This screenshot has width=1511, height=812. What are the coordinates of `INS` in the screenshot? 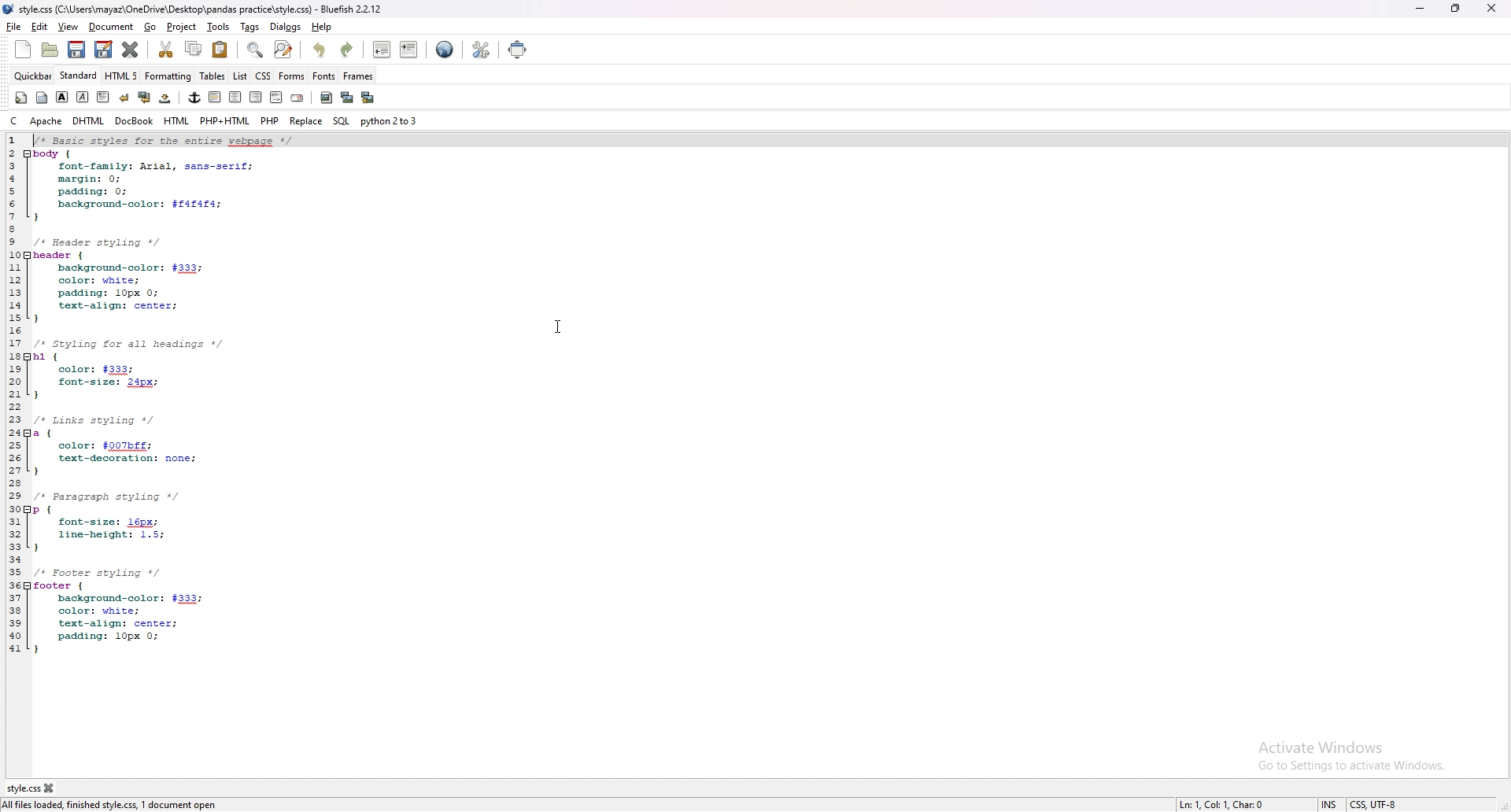 It's located at (1333, 804).